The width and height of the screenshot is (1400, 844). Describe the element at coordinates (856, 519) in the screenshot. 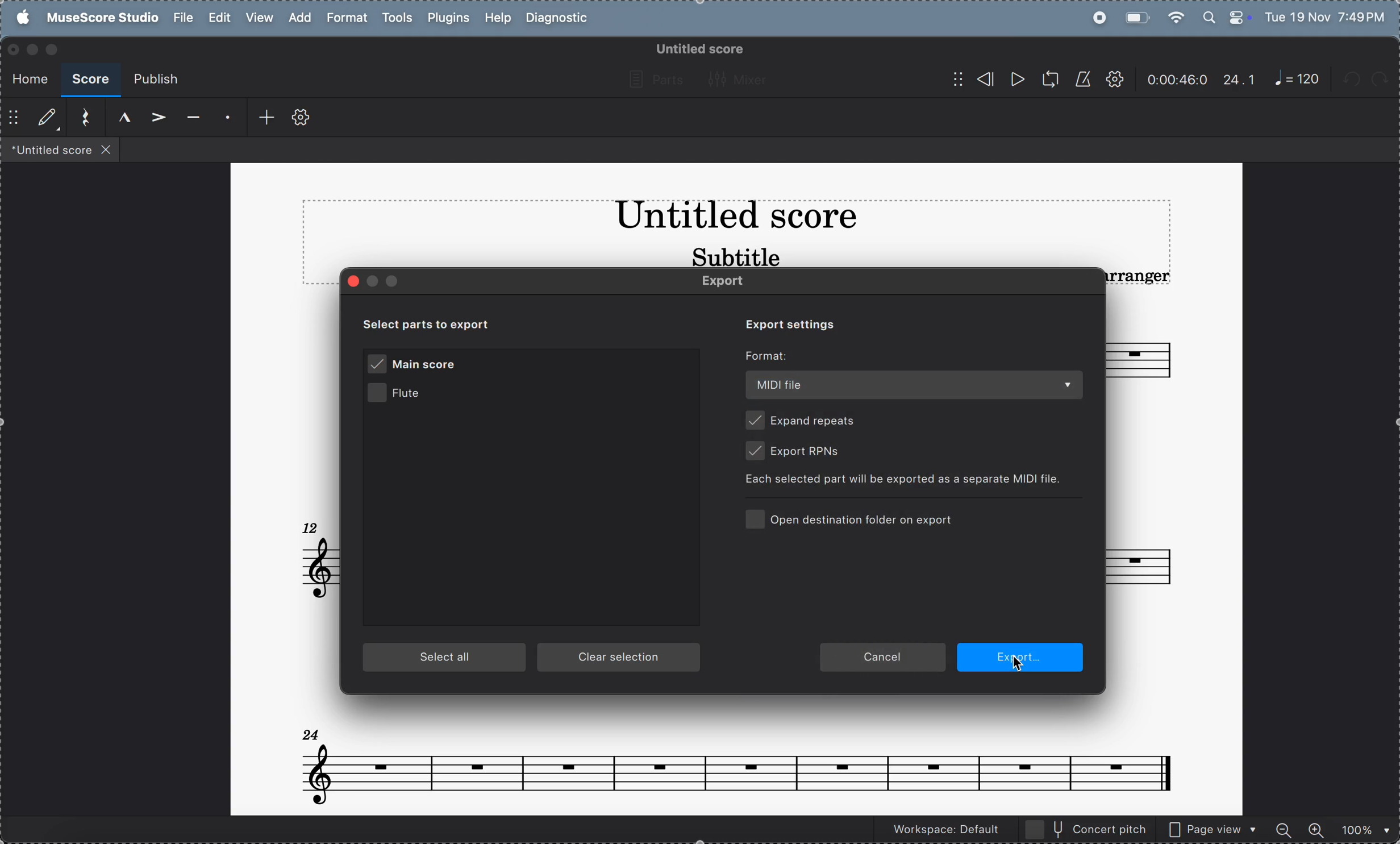

I see `open destination folder on export` at that location.